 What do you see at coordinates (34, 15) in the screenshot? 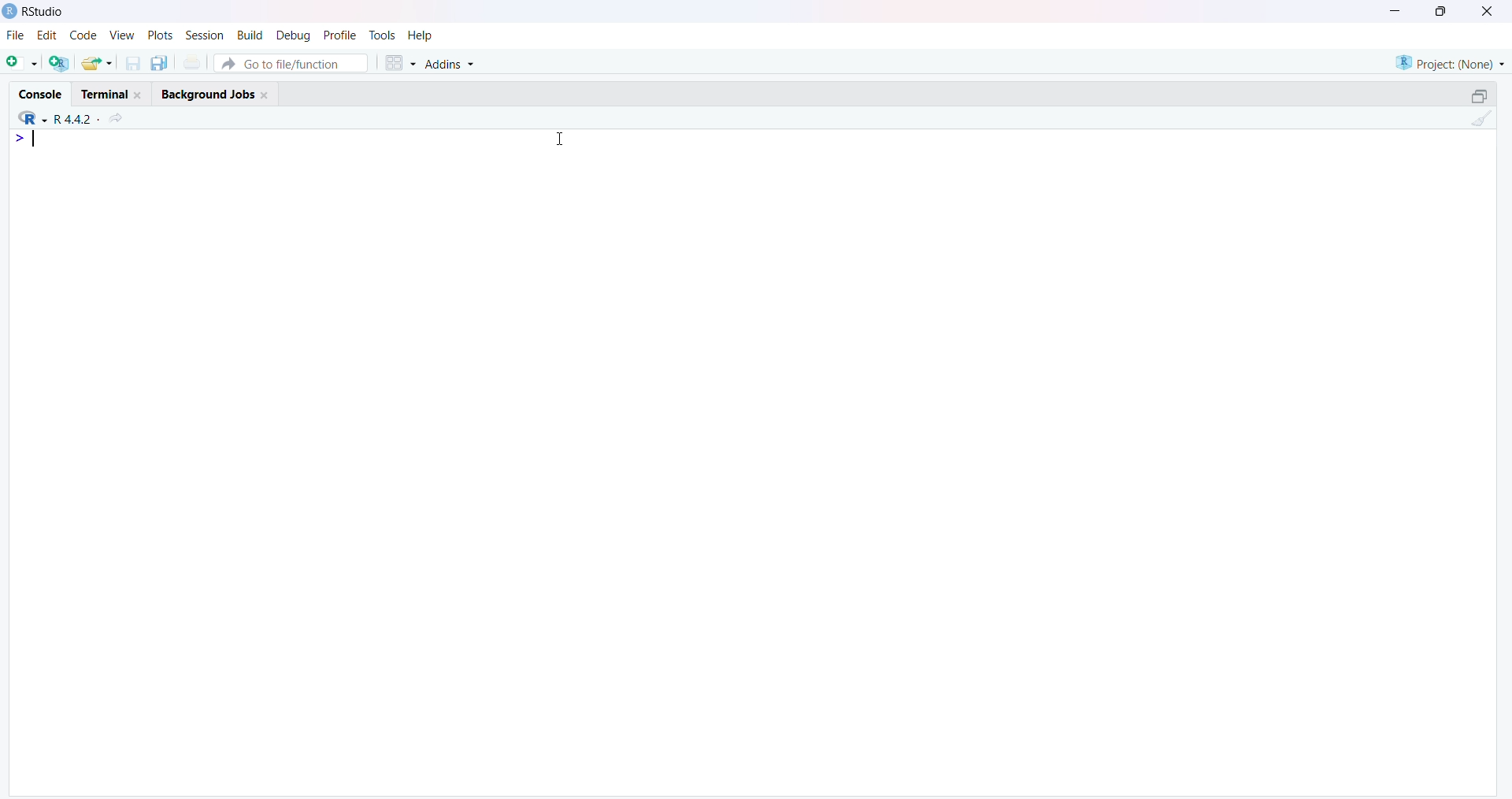
I see `RStudio` at bounding box center [34, 15].